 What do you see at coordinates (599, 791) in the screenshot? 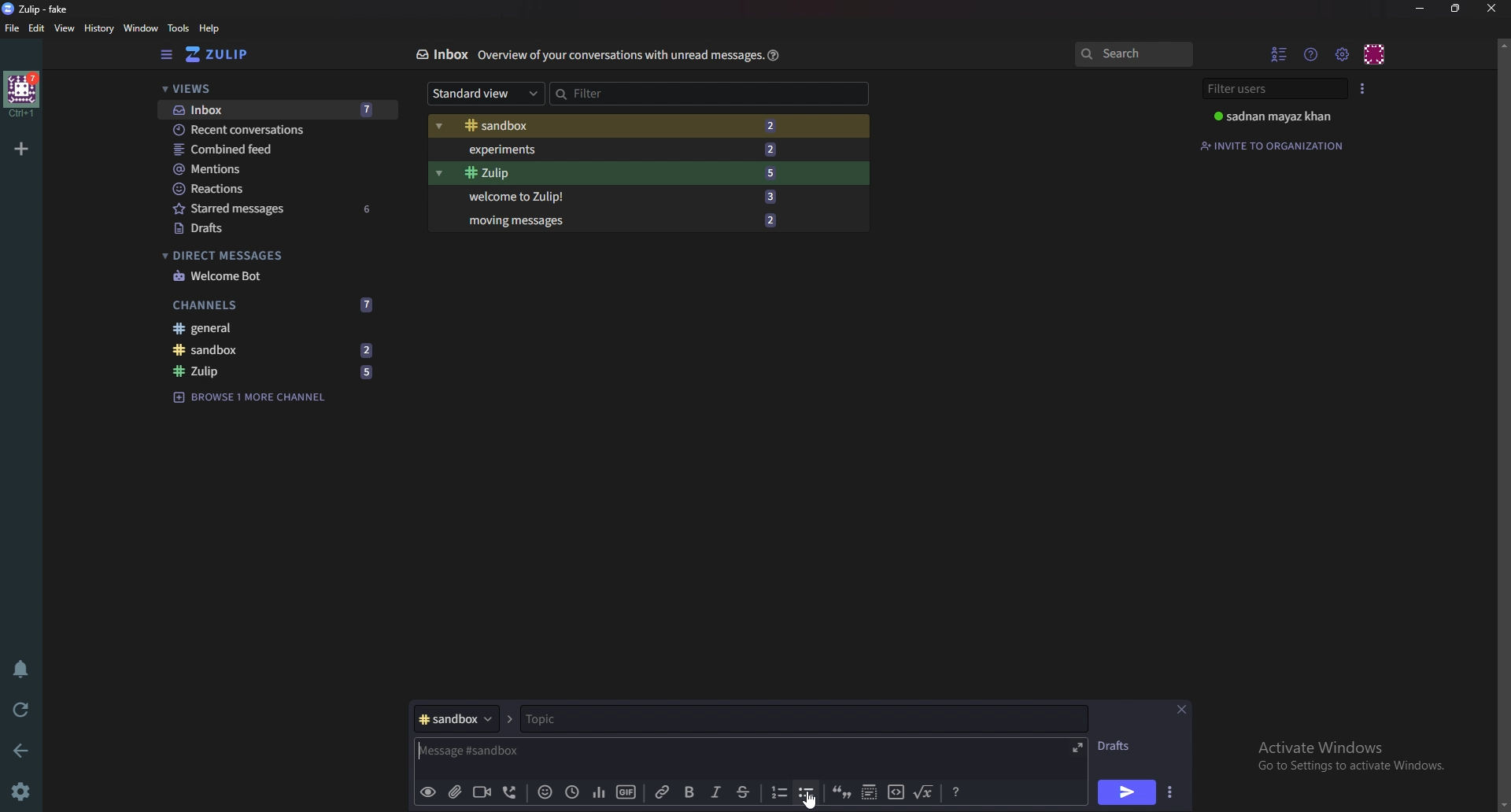
I see `poll` at bounding box center [599, 791].